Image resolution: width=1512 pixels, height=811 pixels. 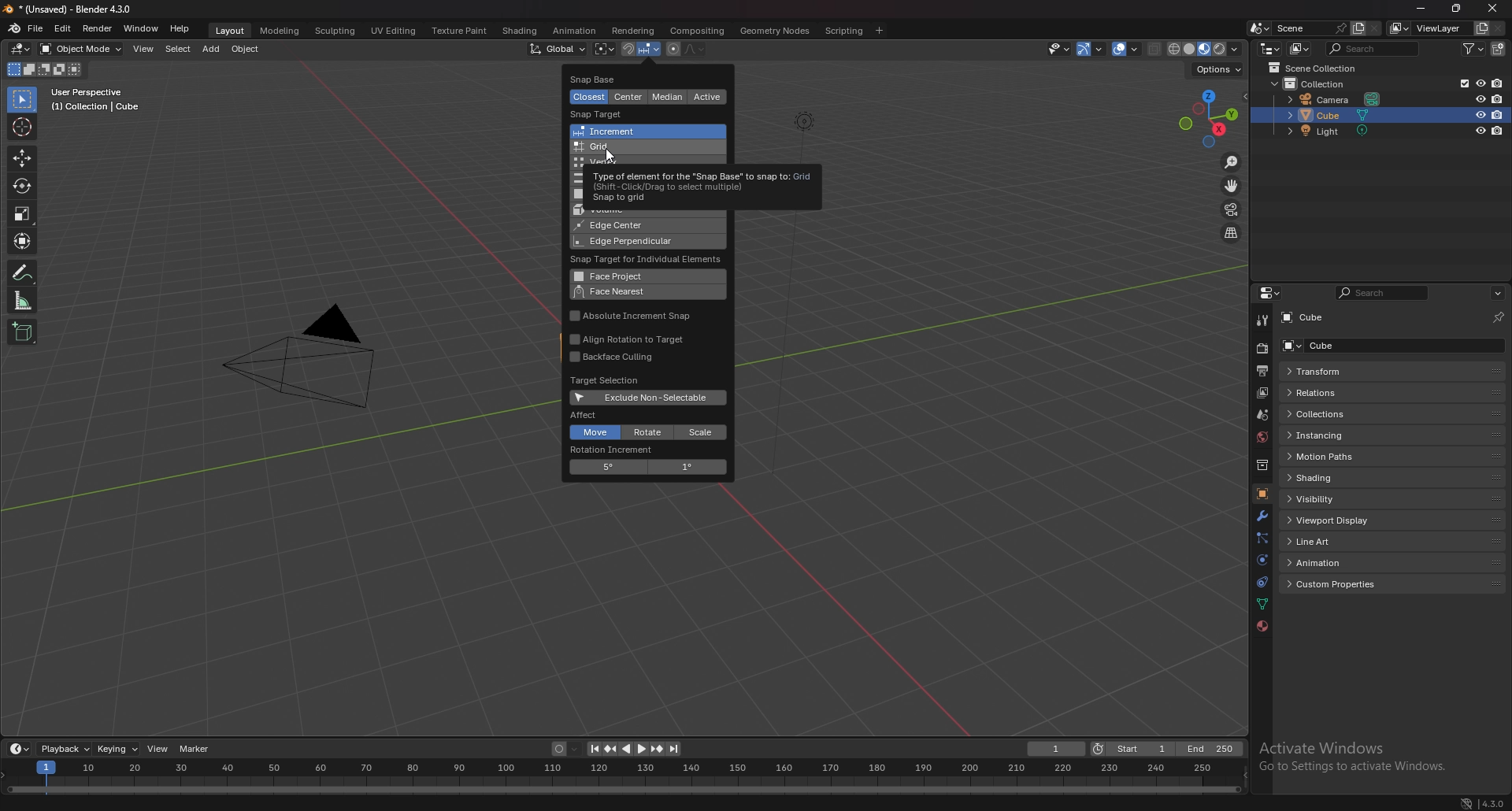 I want to click on absolute increment snap, so click(x=634, y=317).